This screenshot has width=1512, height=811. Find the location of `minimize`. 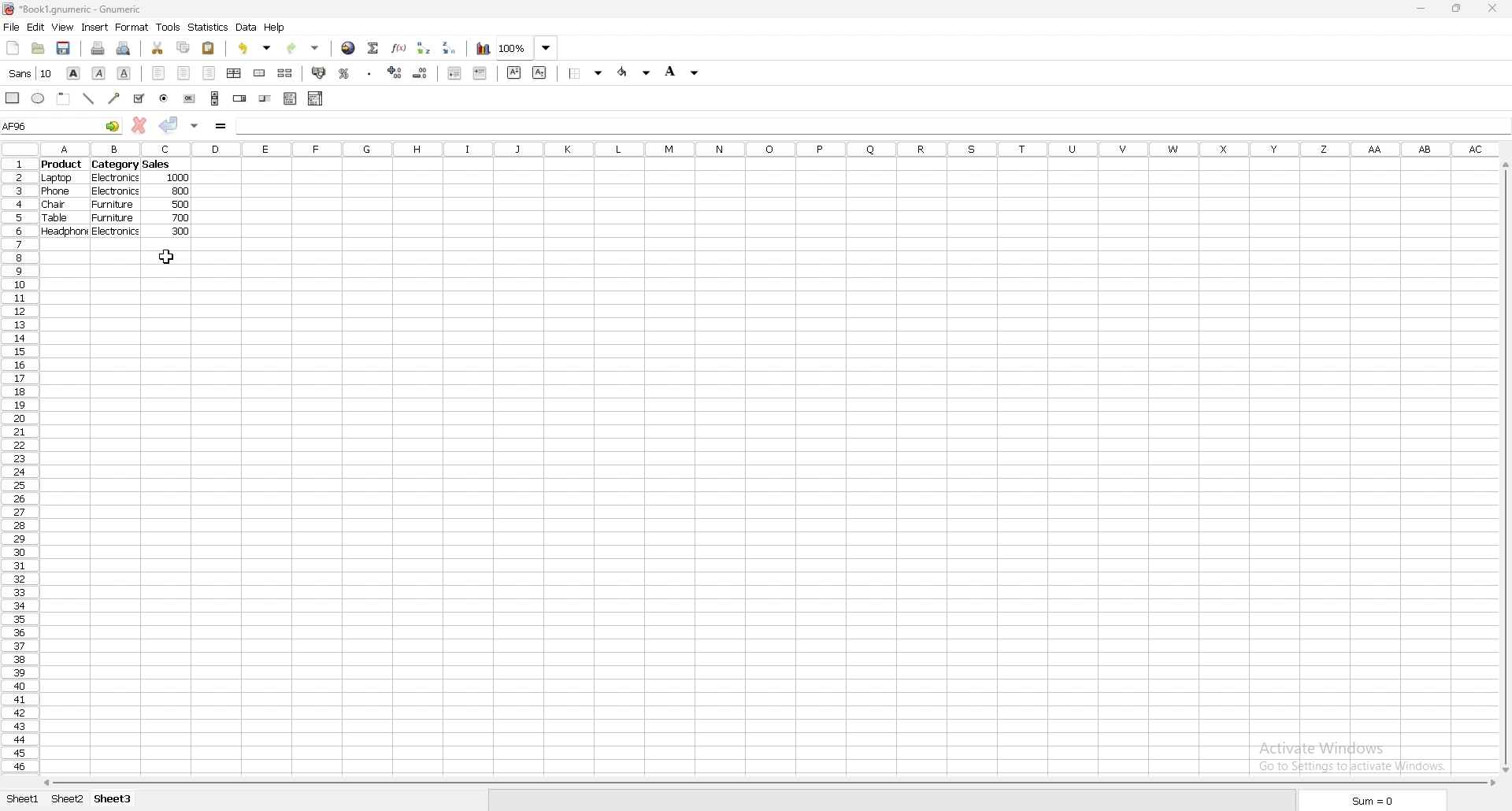

minimize is located at coordinates (1421, 9).